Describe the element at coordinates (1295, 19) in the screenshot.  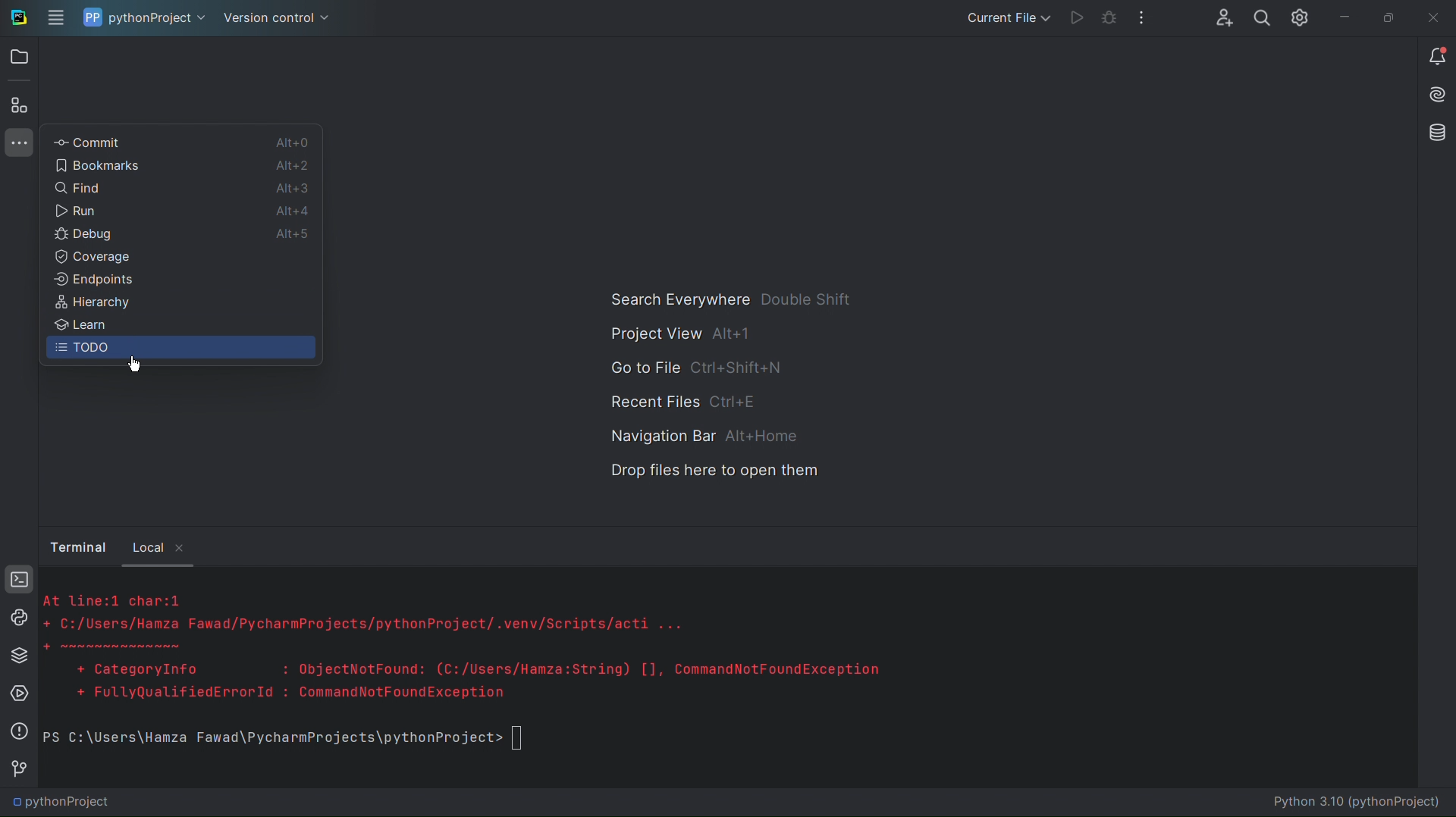
I see `Settings` at that location.